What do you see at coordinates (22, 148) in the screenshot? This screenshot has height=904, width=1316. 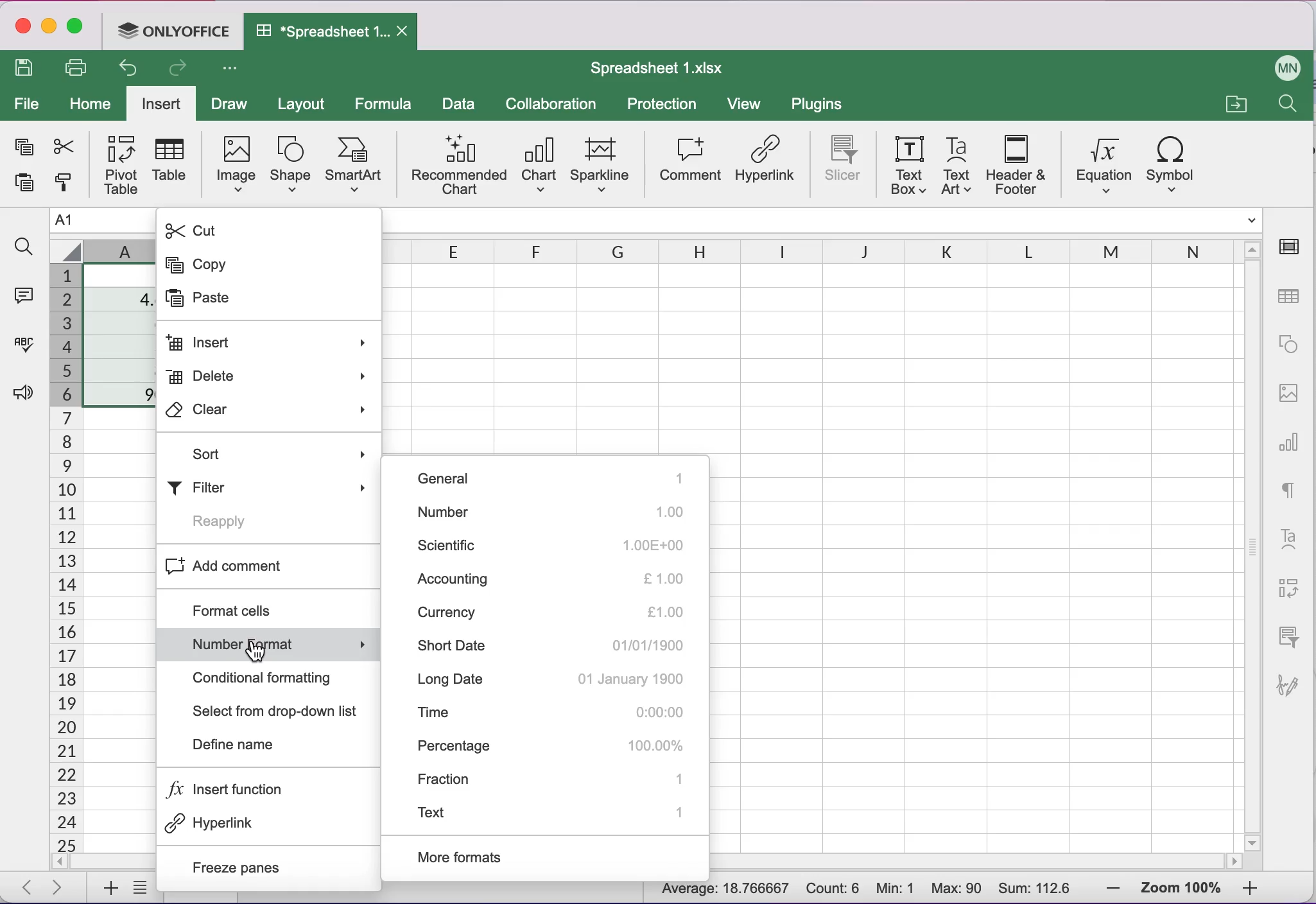 I see `copy` at bounding box center [22, 148].